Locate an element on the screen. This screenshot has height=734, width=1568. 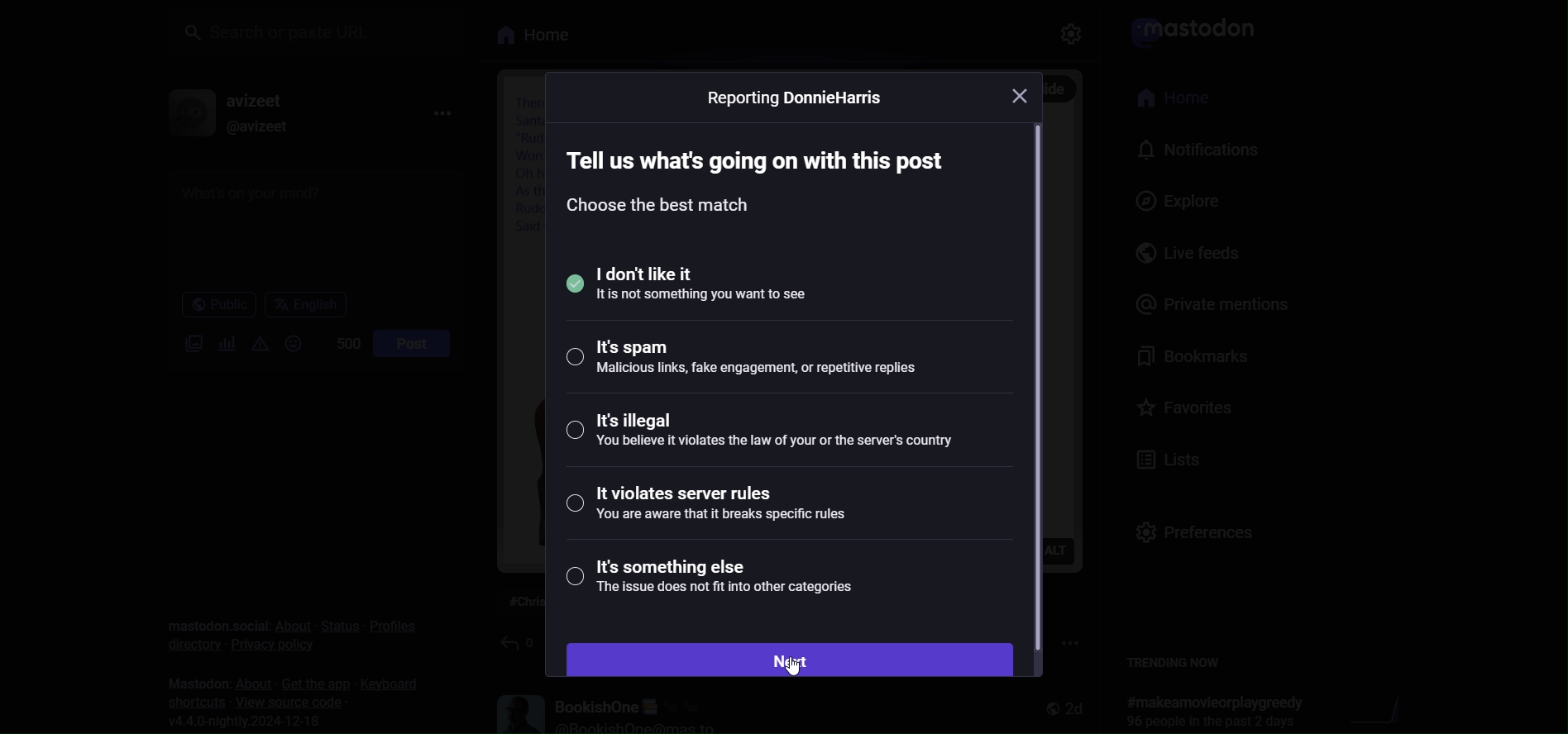
public is located at coordinates (210, 305).